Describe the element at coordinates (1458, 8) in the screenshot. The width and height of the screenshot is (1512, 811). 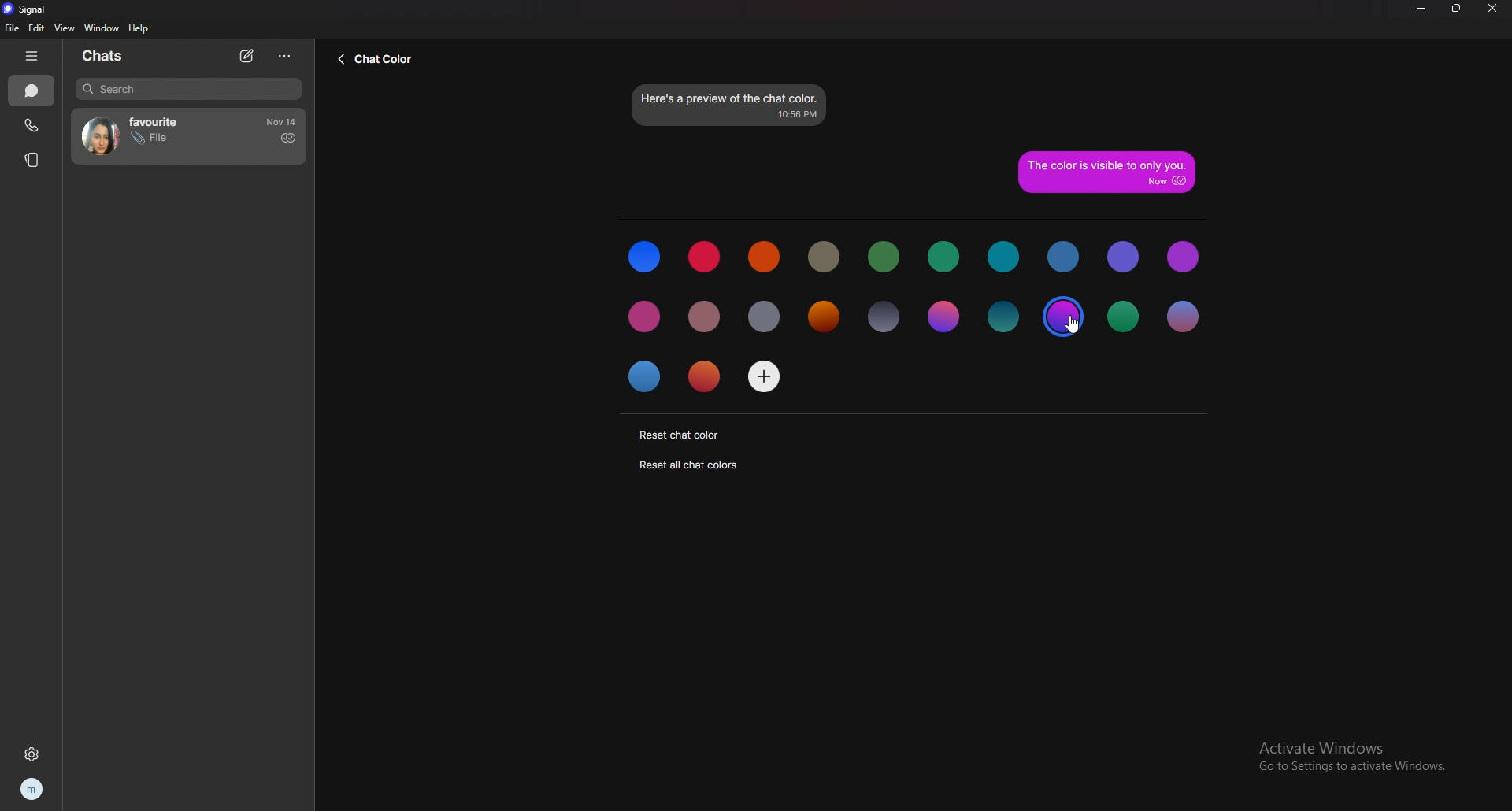
I see `resize` at that location.